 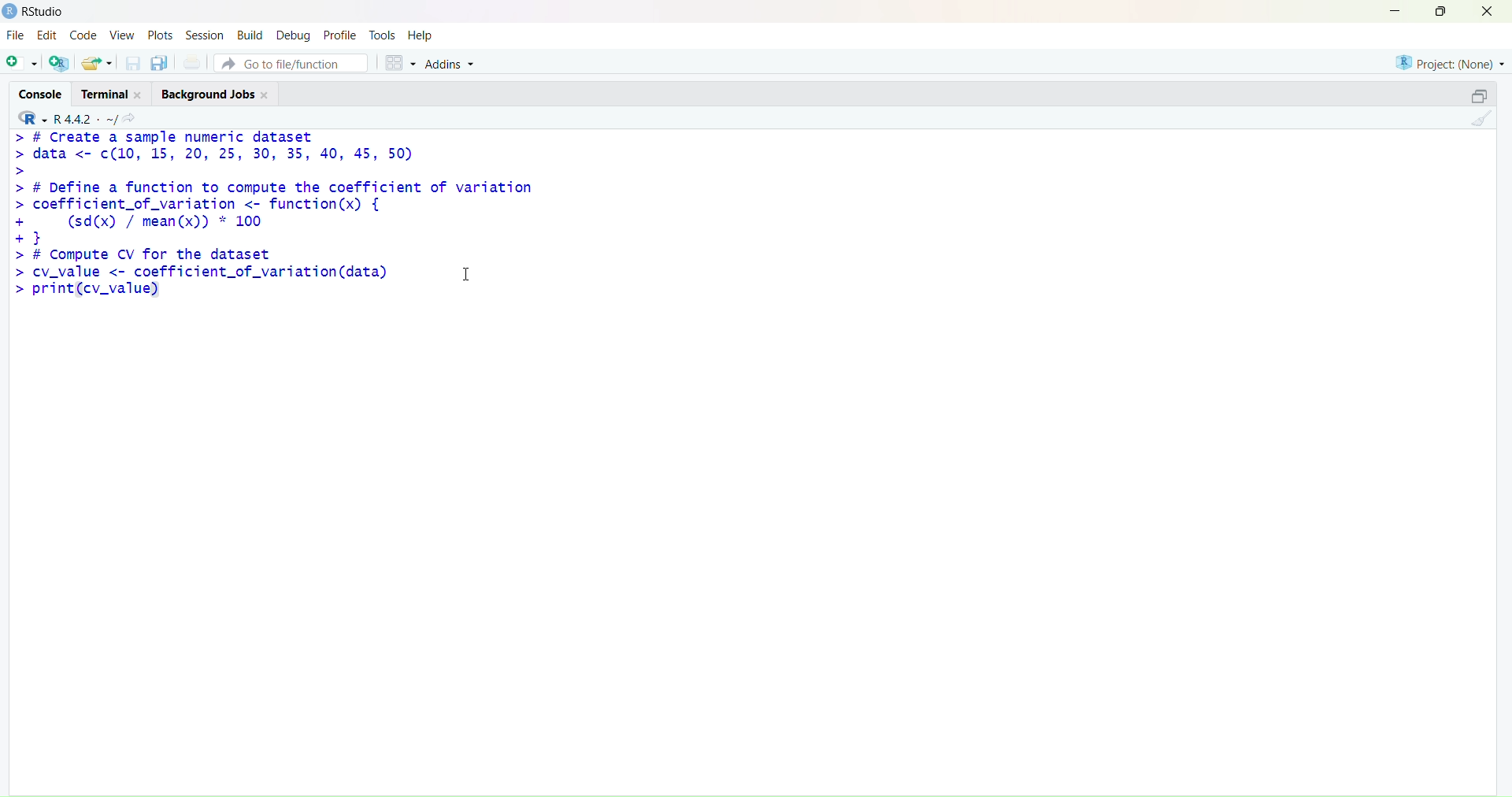 I want to click on RStudio, so click(x=46, y=11).